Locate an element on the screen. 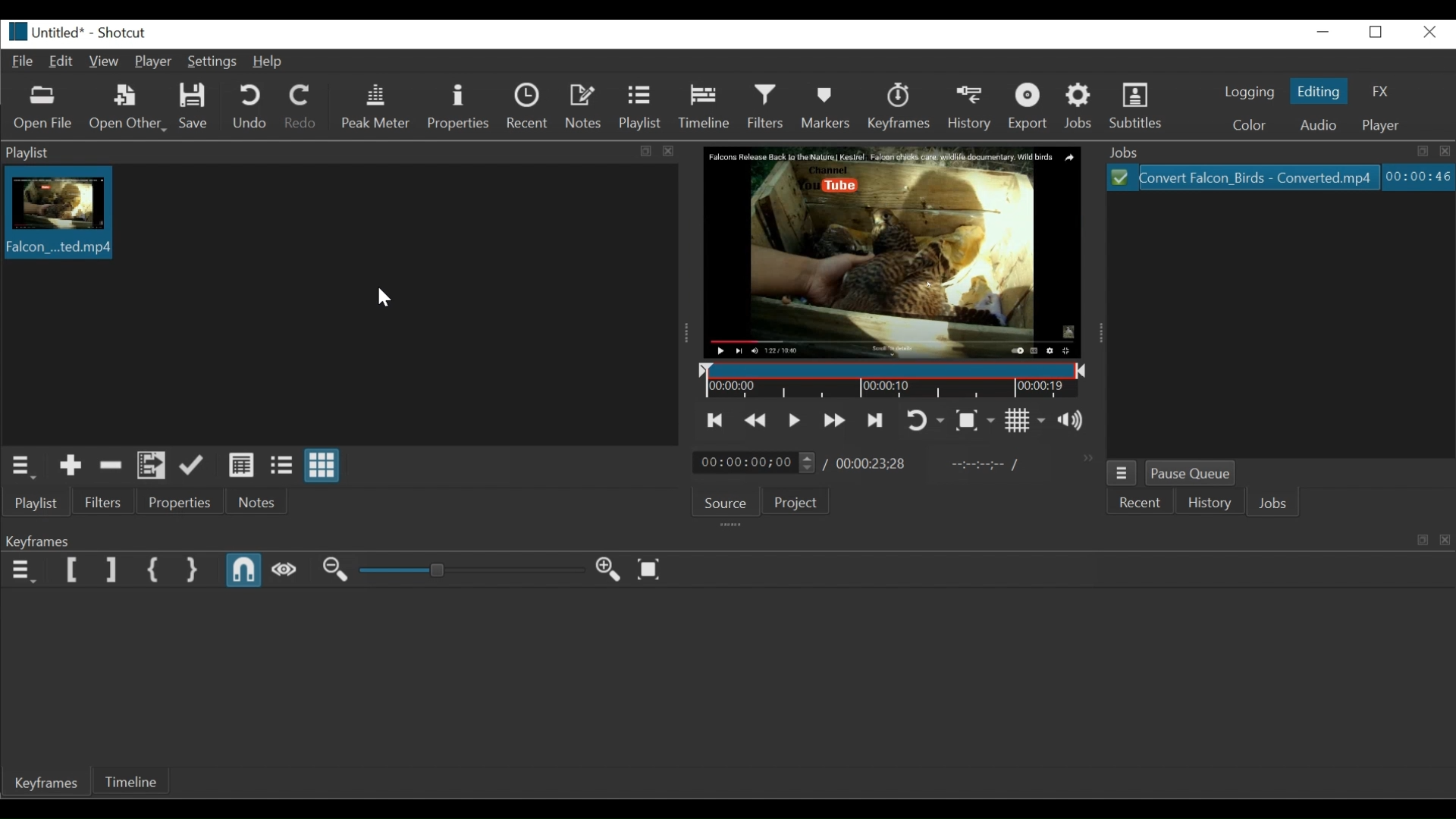  Player is located at coordinates (153, 61).